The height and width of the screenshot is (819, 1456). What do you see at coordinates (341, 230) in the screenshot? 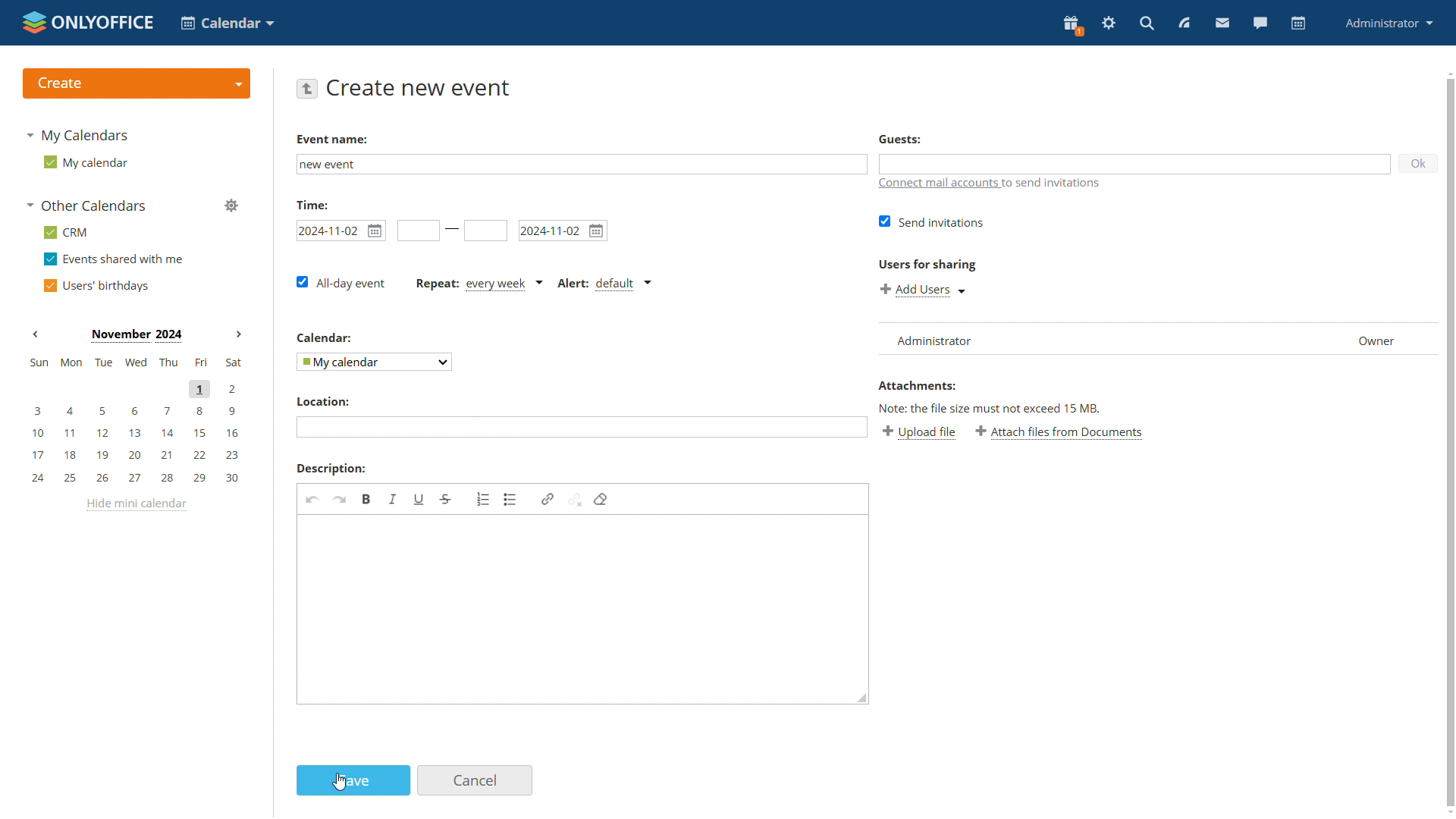
I see `event start date` at bounding box center [341, 230].